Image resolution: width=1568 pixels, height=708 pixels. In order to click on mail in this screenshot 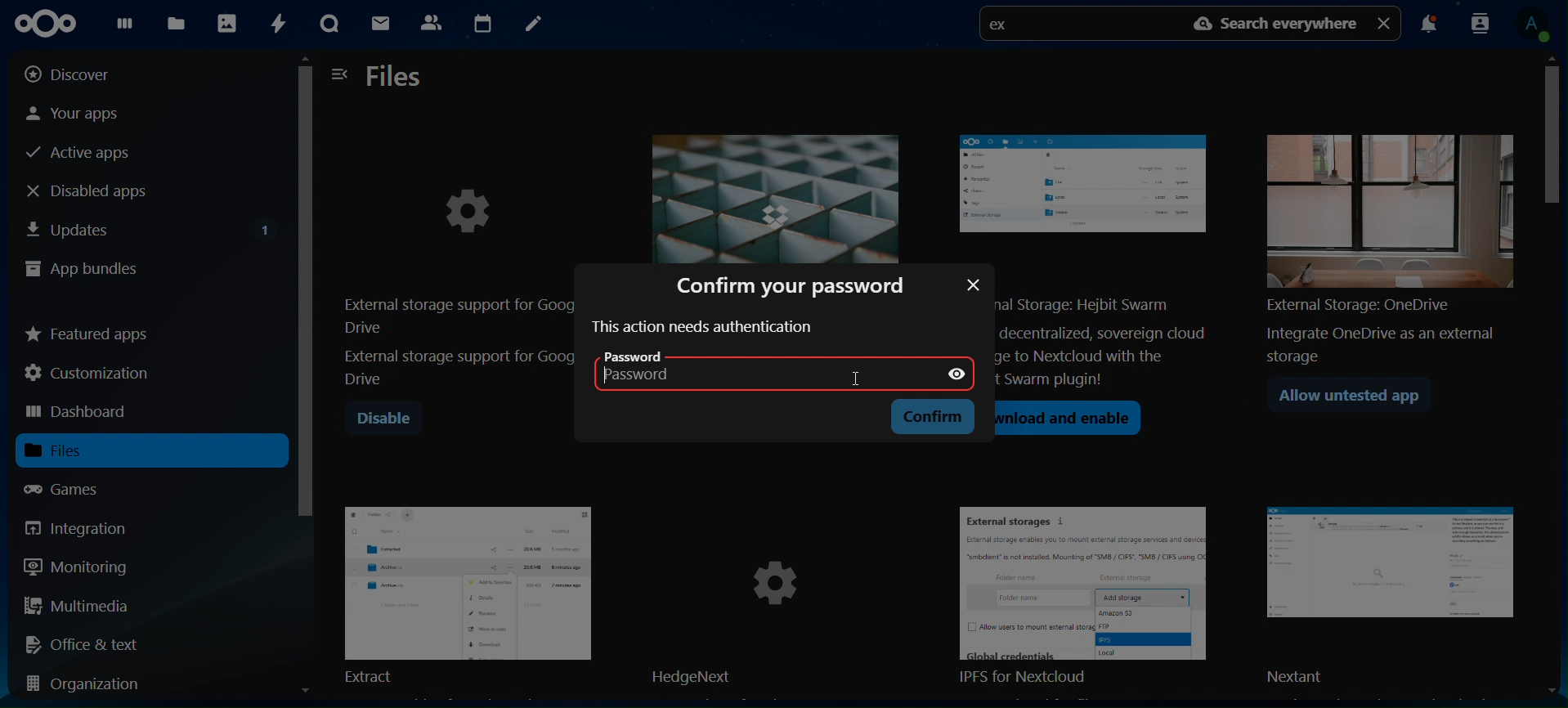, I will do `click(383, 25)`.